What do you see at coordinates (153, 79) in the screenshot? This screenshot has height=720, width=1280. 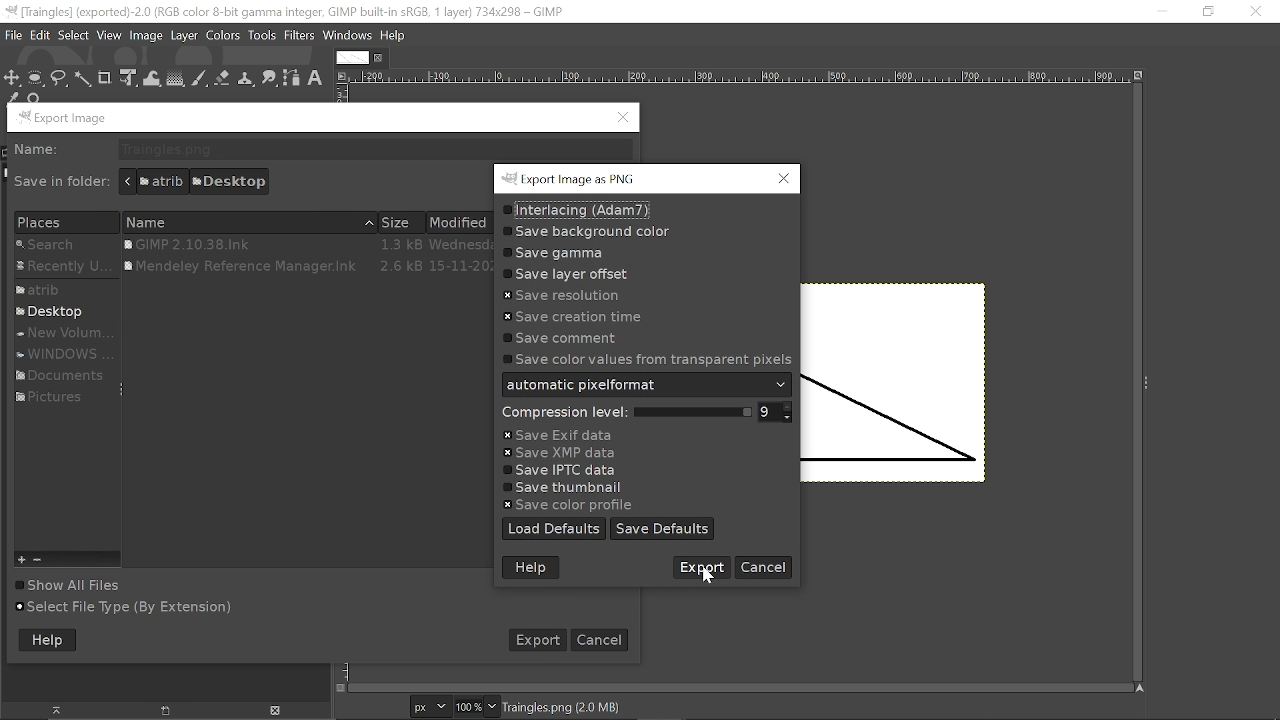 I see `Wrap transform` at bounding box center [153, 79].